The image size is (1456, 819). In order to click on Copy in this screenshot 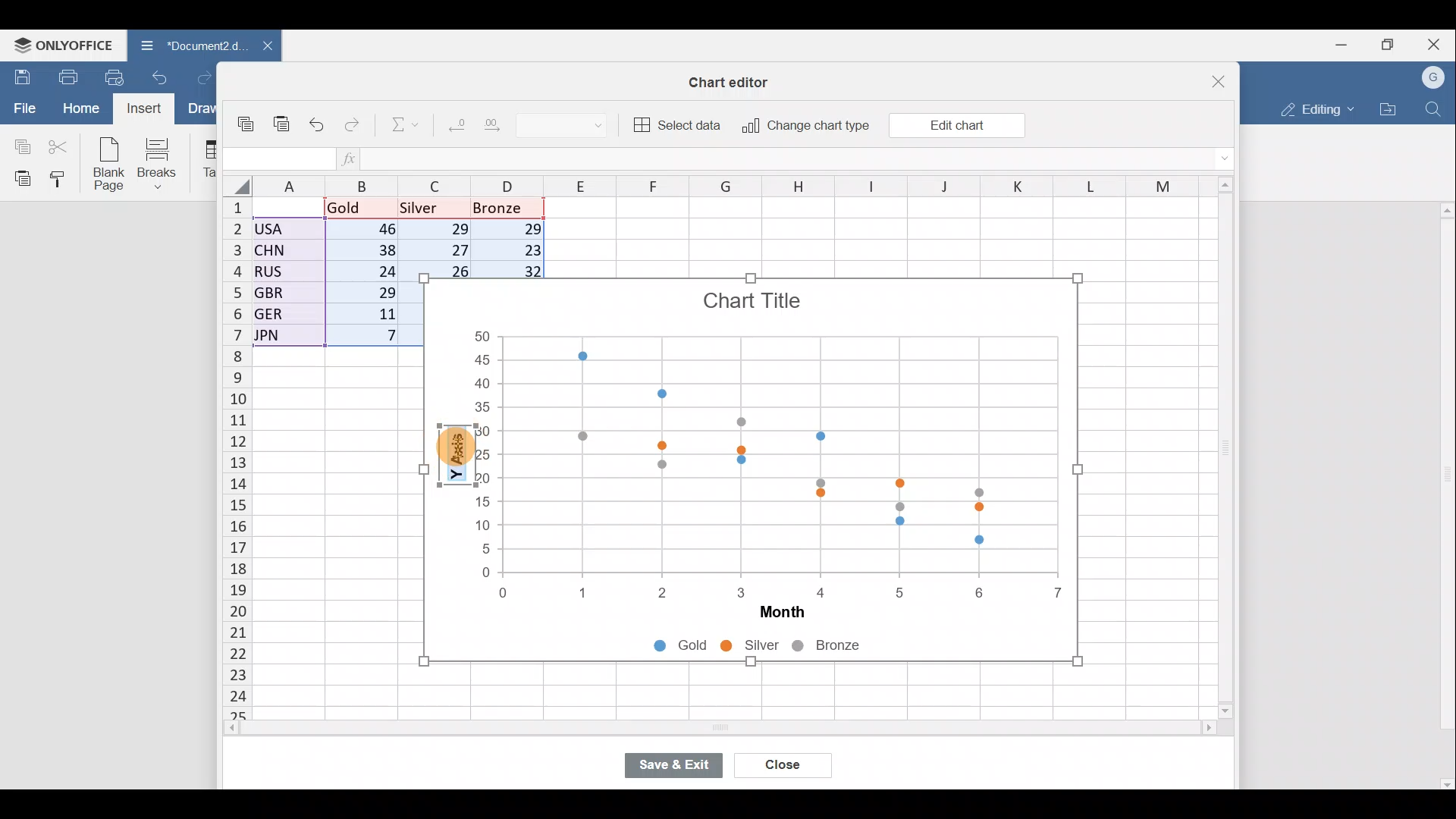, I will do `click(247, 118)`.